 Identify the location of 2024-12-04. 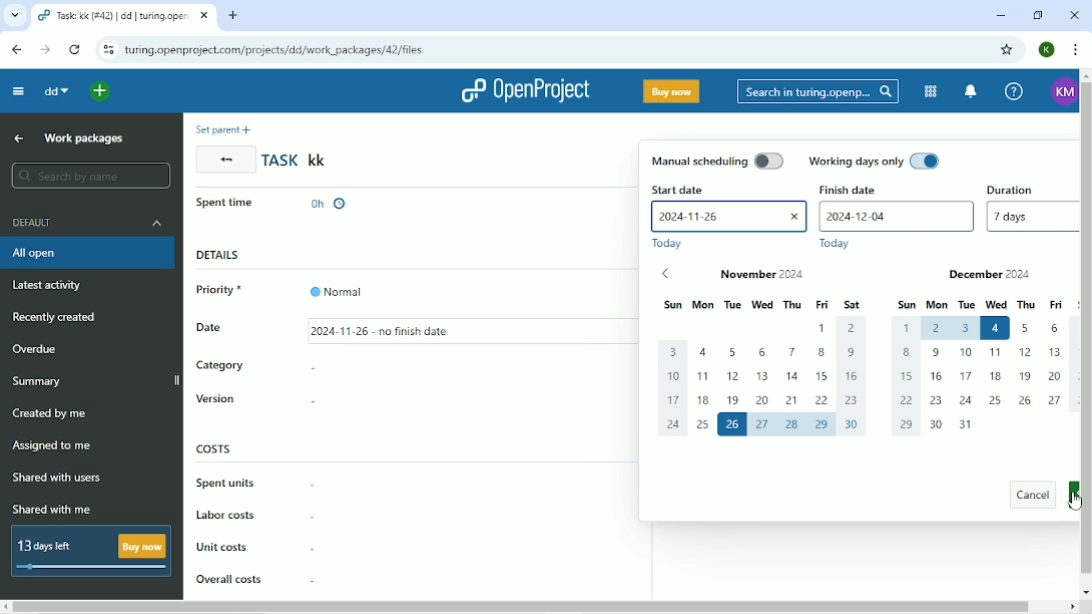
(895, 216).